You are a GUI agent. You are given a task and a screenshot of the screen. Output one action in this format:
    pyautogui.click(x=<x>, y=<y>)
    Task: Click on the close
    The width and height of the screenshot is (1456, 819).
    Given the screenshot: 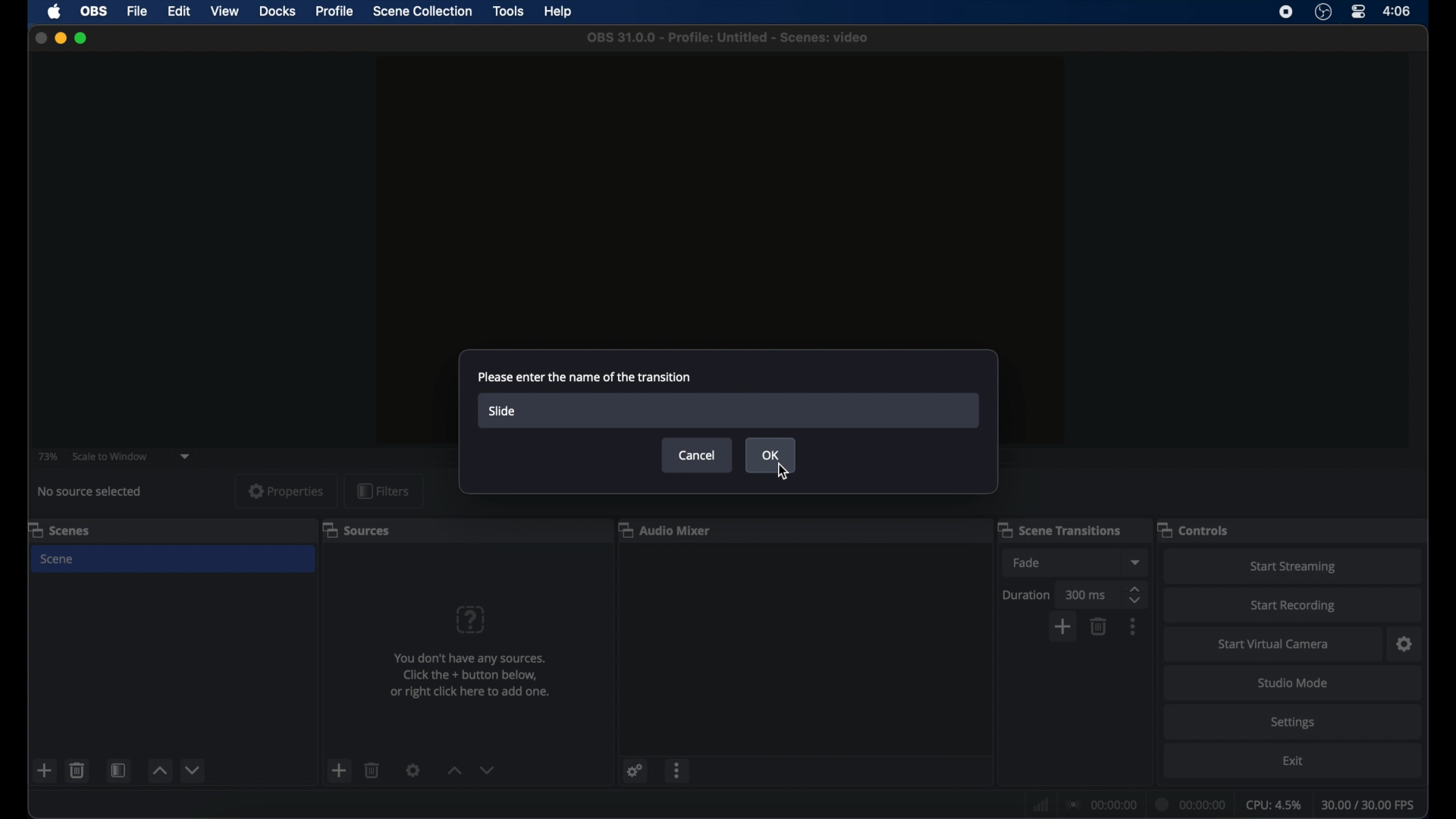 What is the action you would take?
    pyautogui.click(x=38, y=37)
    